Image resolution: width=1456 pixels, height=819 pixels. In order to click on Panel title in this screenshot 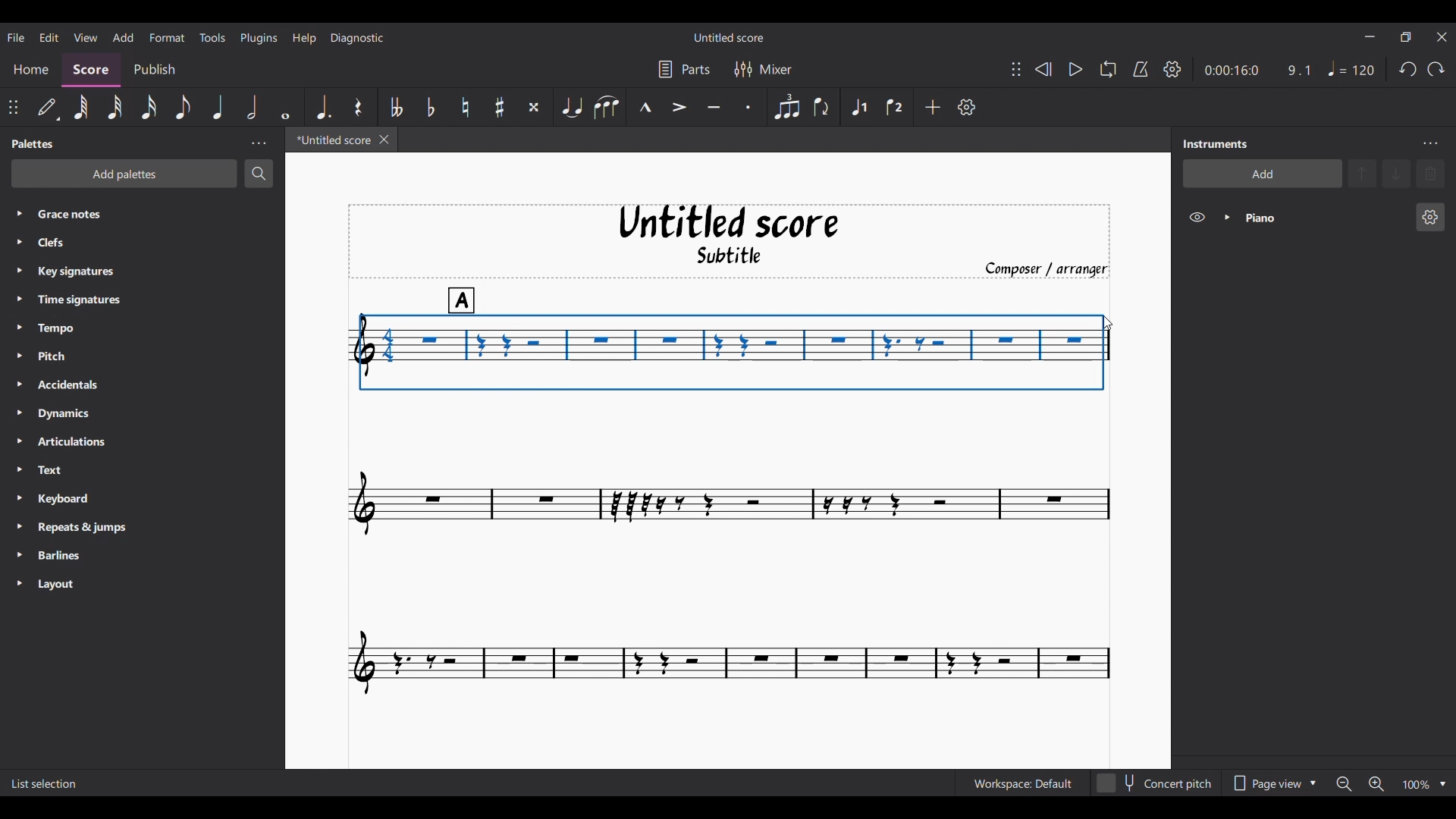, I will do `click(1219, 144)`.